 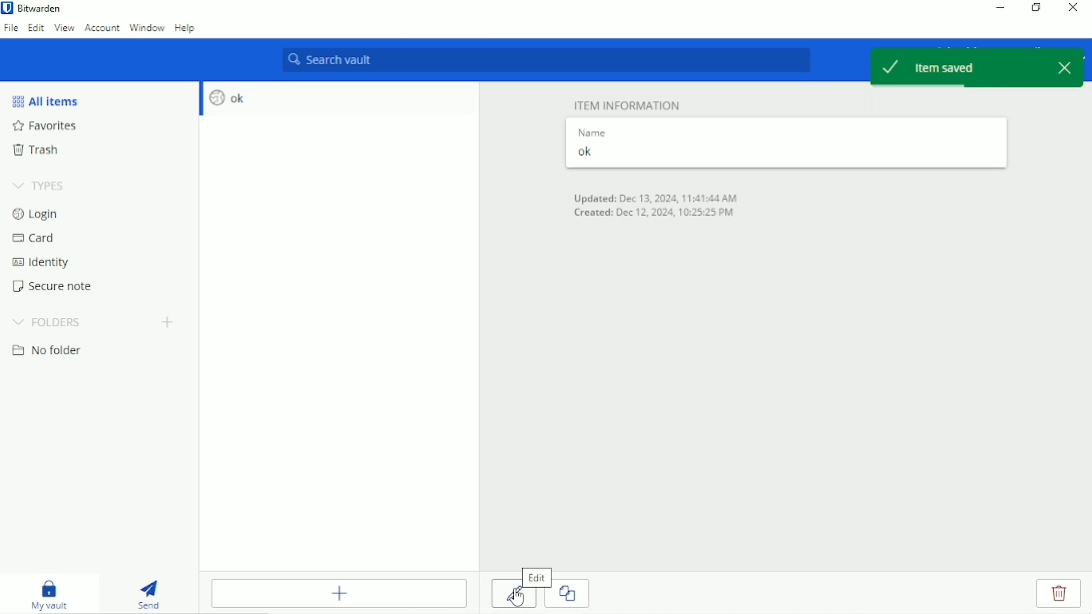 What do you see at coordinates (338, 593) in the screenshot?
I see `Add item` at bounding box center [338, 593].